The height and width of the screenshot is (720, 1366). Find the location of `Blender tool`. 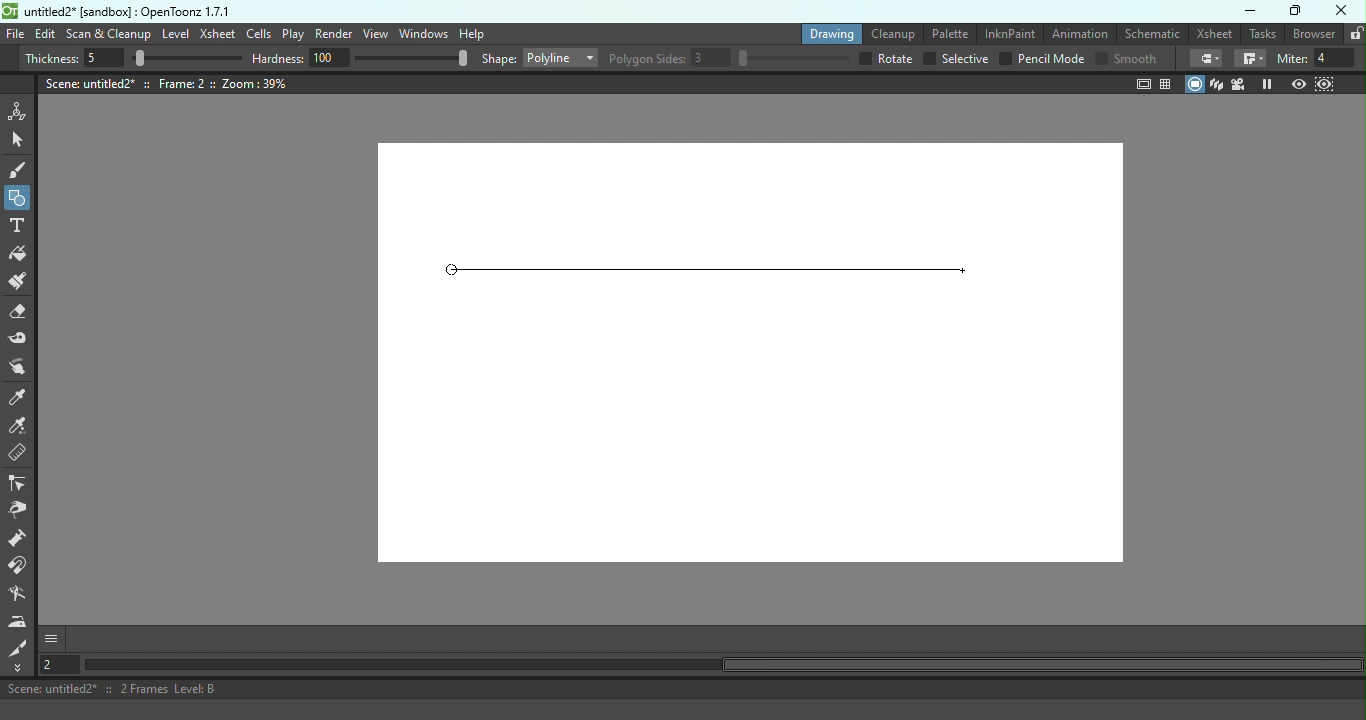

Blender tool is located at coordinates (21, 596).